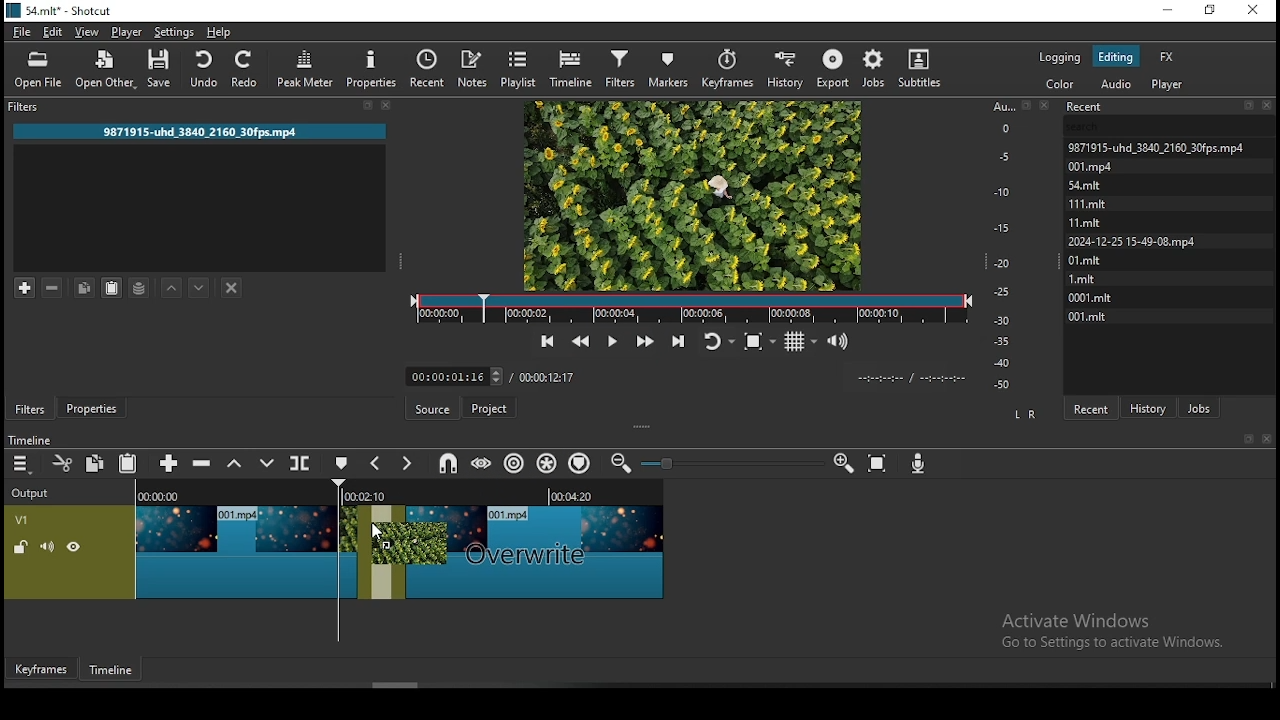  What do you see at coordinates (731, 69) in the screenshot?
I see `keyframes` at bounding box center [731, 69].